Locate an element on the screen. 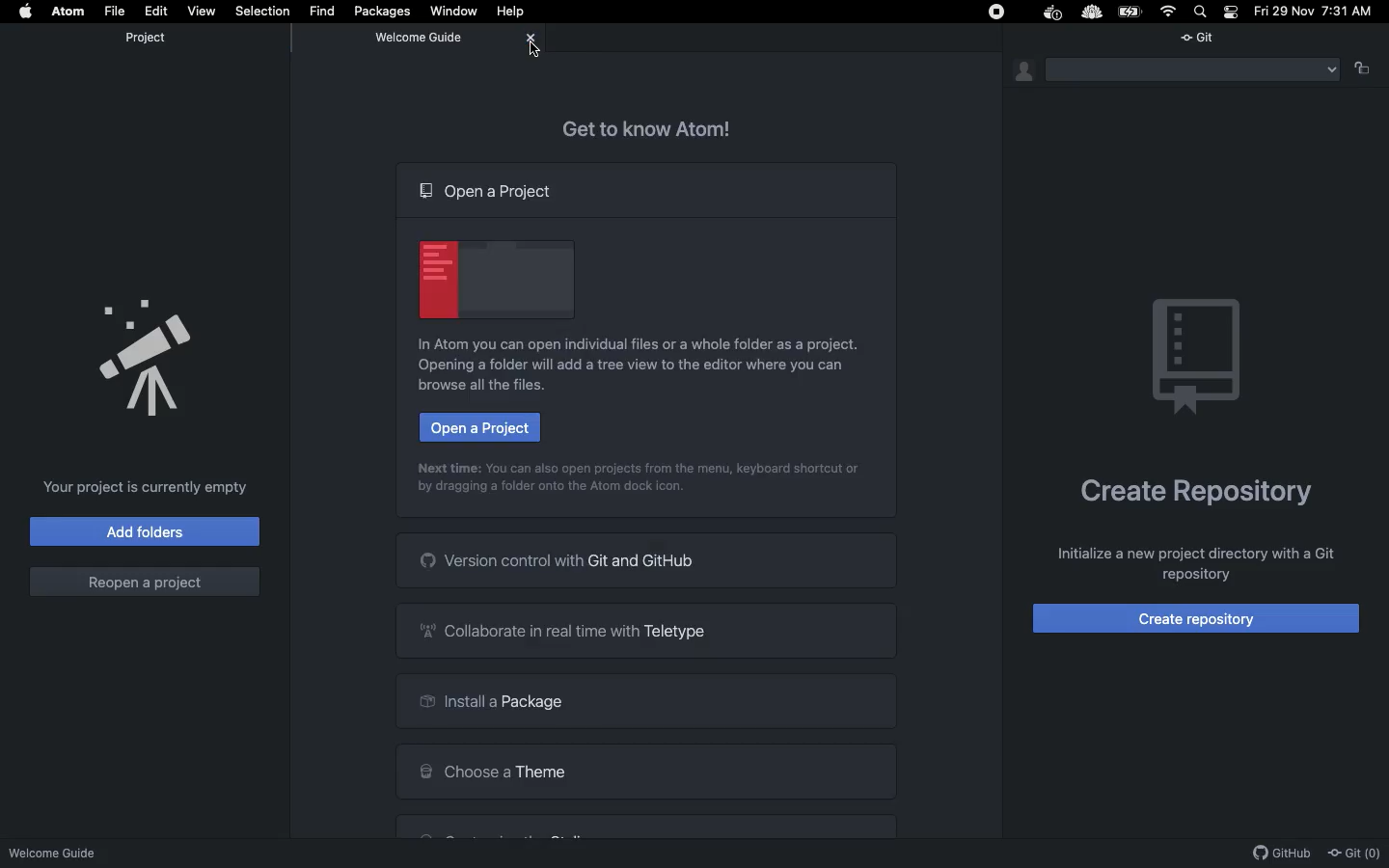 The height and width of the screenshot is (868, 1389). Fro 29 Nov is located at coordinates (1282, 13).